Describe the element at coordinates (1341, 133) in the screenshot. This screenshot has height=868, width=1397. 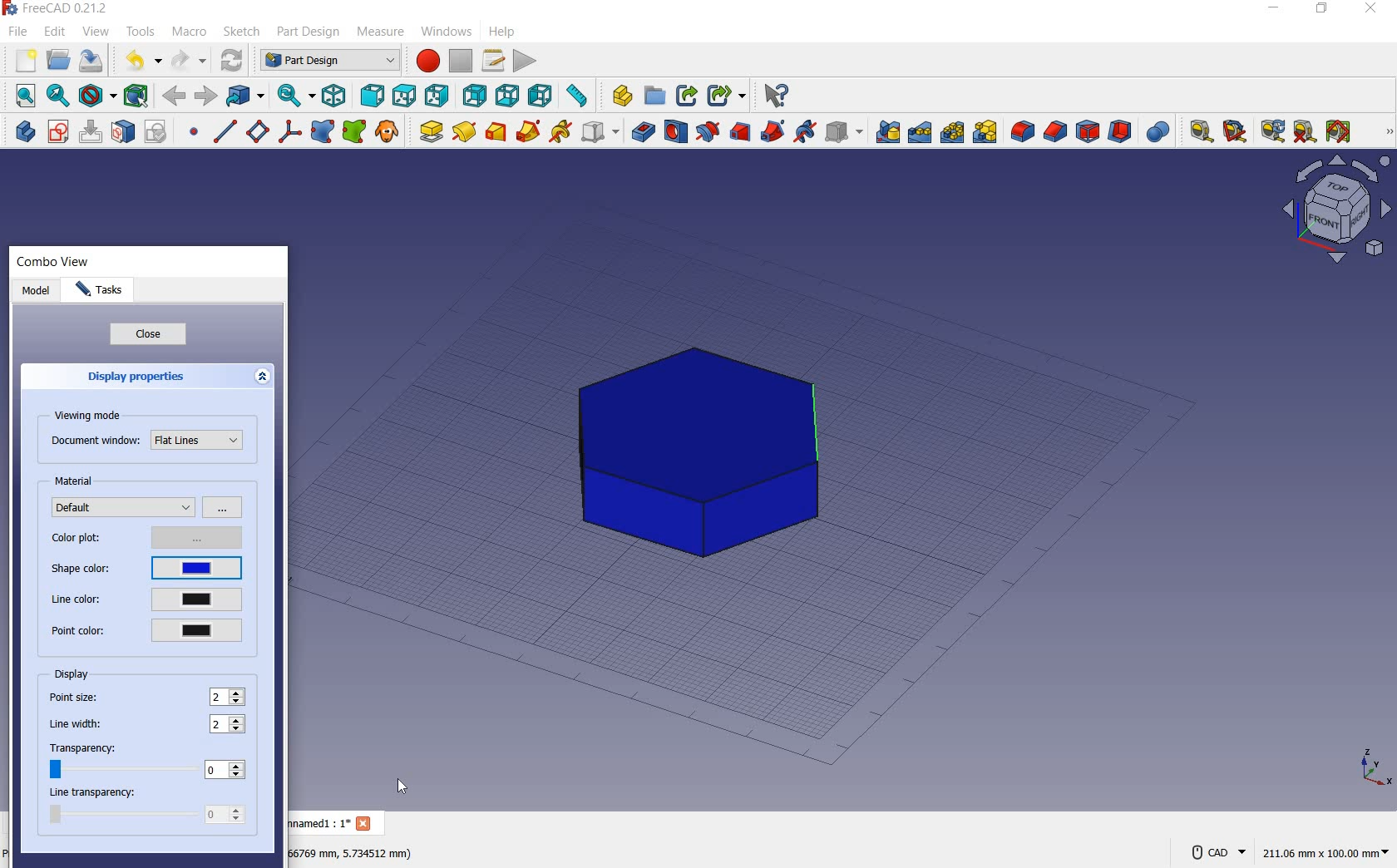
I see `Toggle all` at that location.